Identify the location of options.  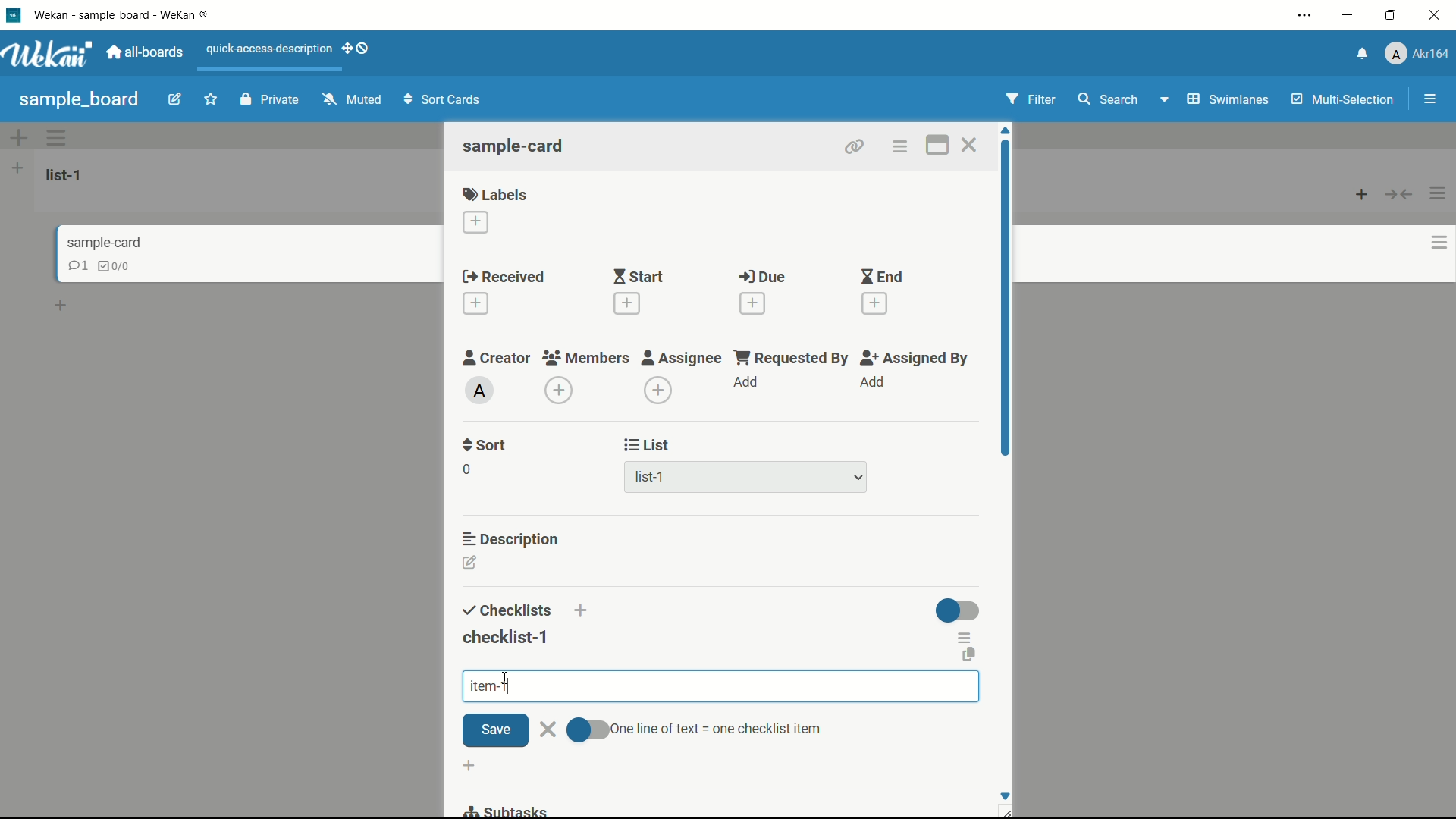
(1433, 240).